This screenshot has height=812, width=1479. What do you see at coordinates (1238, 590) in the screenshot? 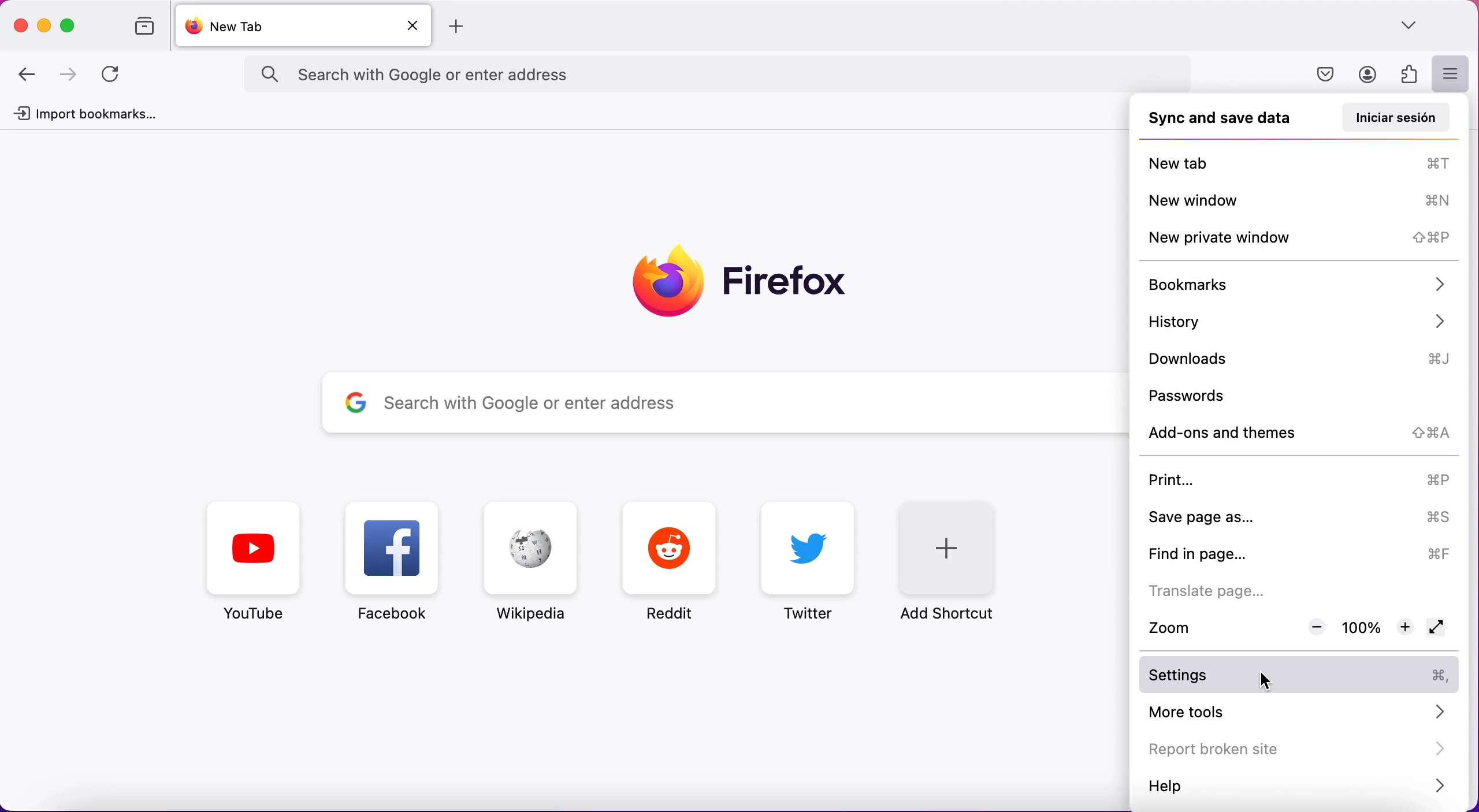
I see `translate page` at bounding box center [1238, 590].